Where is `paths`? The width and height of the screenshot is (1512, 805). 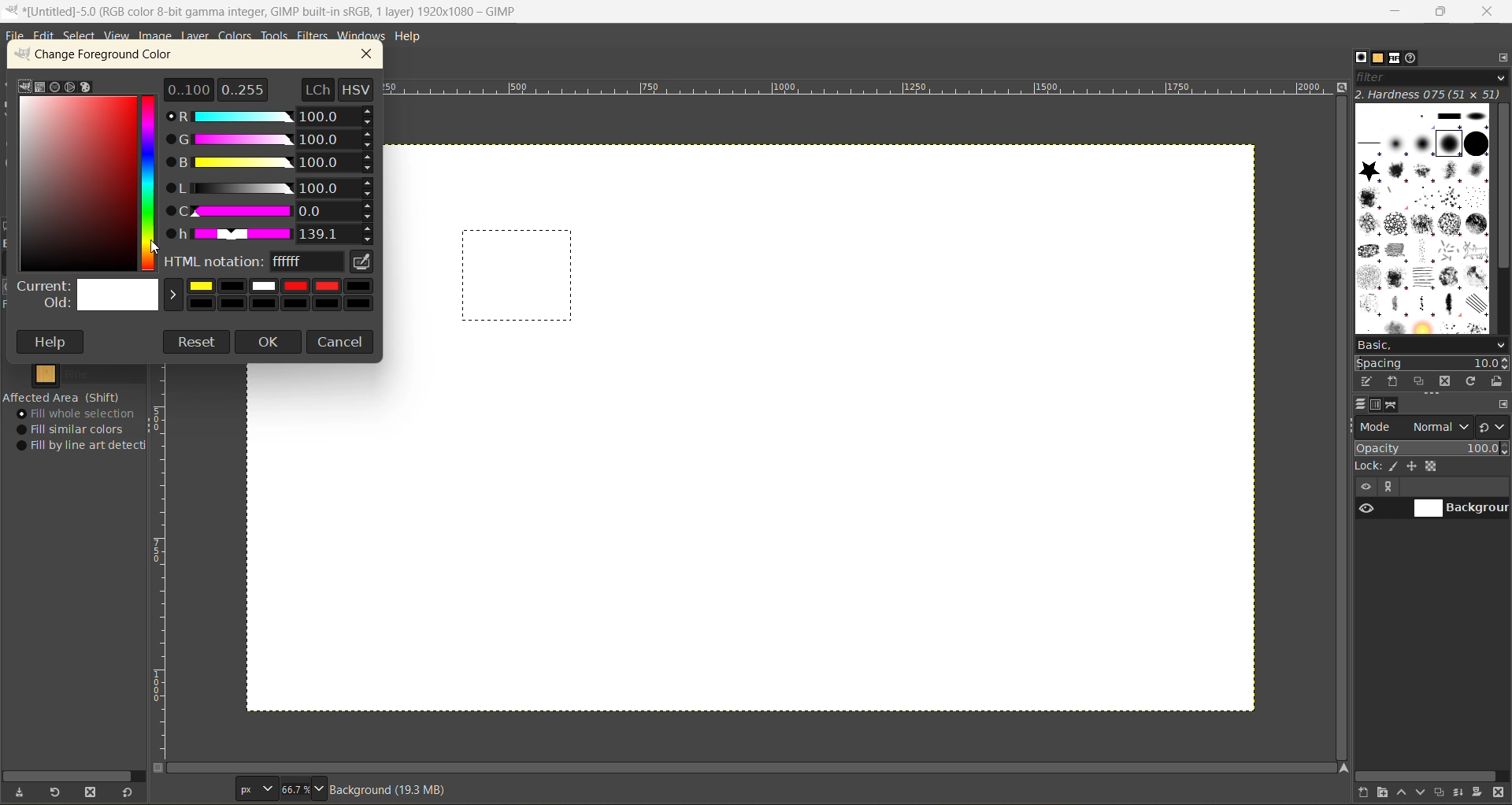 paths is located at coordinates (1394, 406).